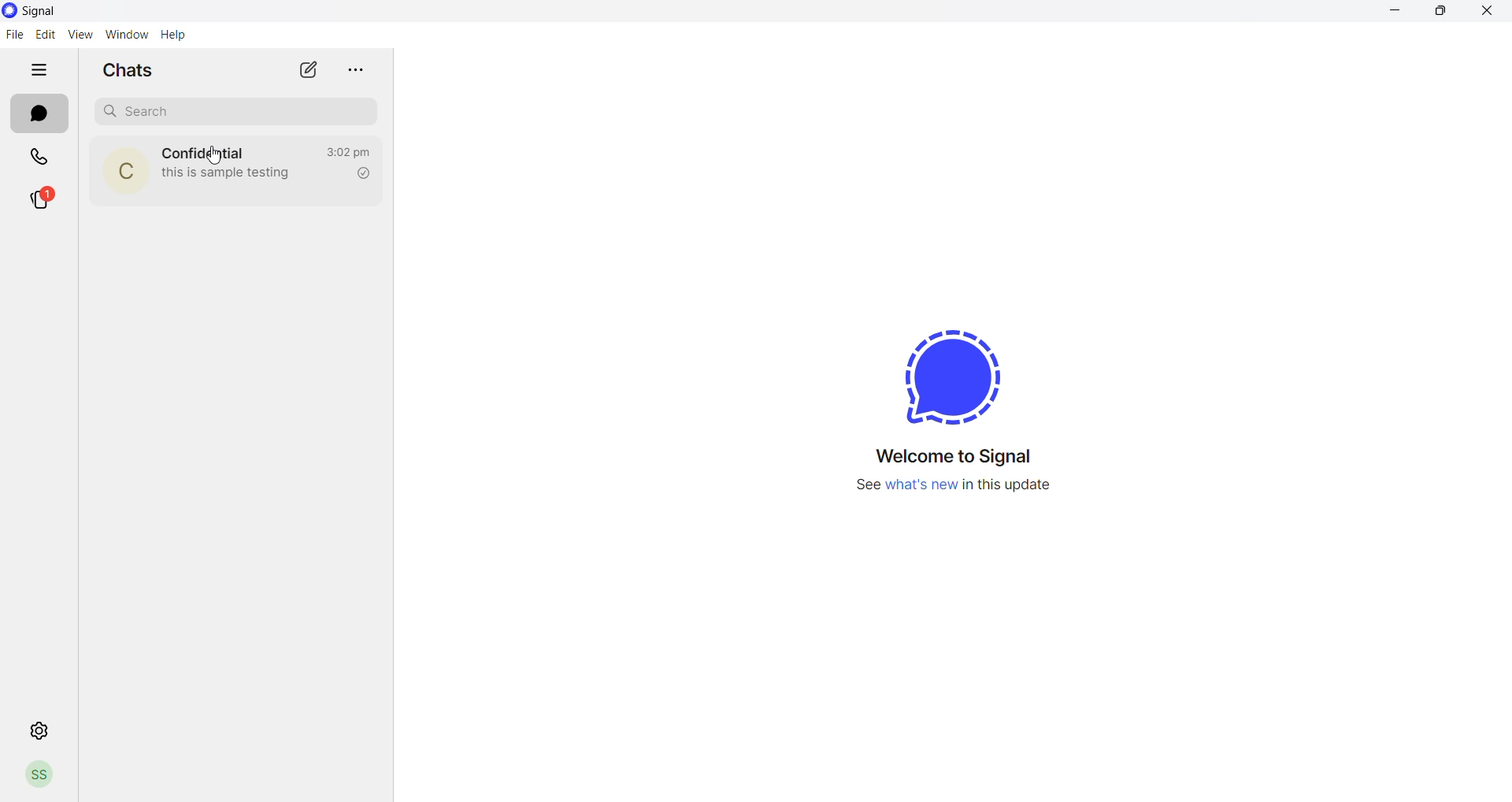 This screenshot has height=802, width=1512. What do you see at coordinates (951, 486) in the screenshot?
I see `new update information` at bounding box center [951, 486].